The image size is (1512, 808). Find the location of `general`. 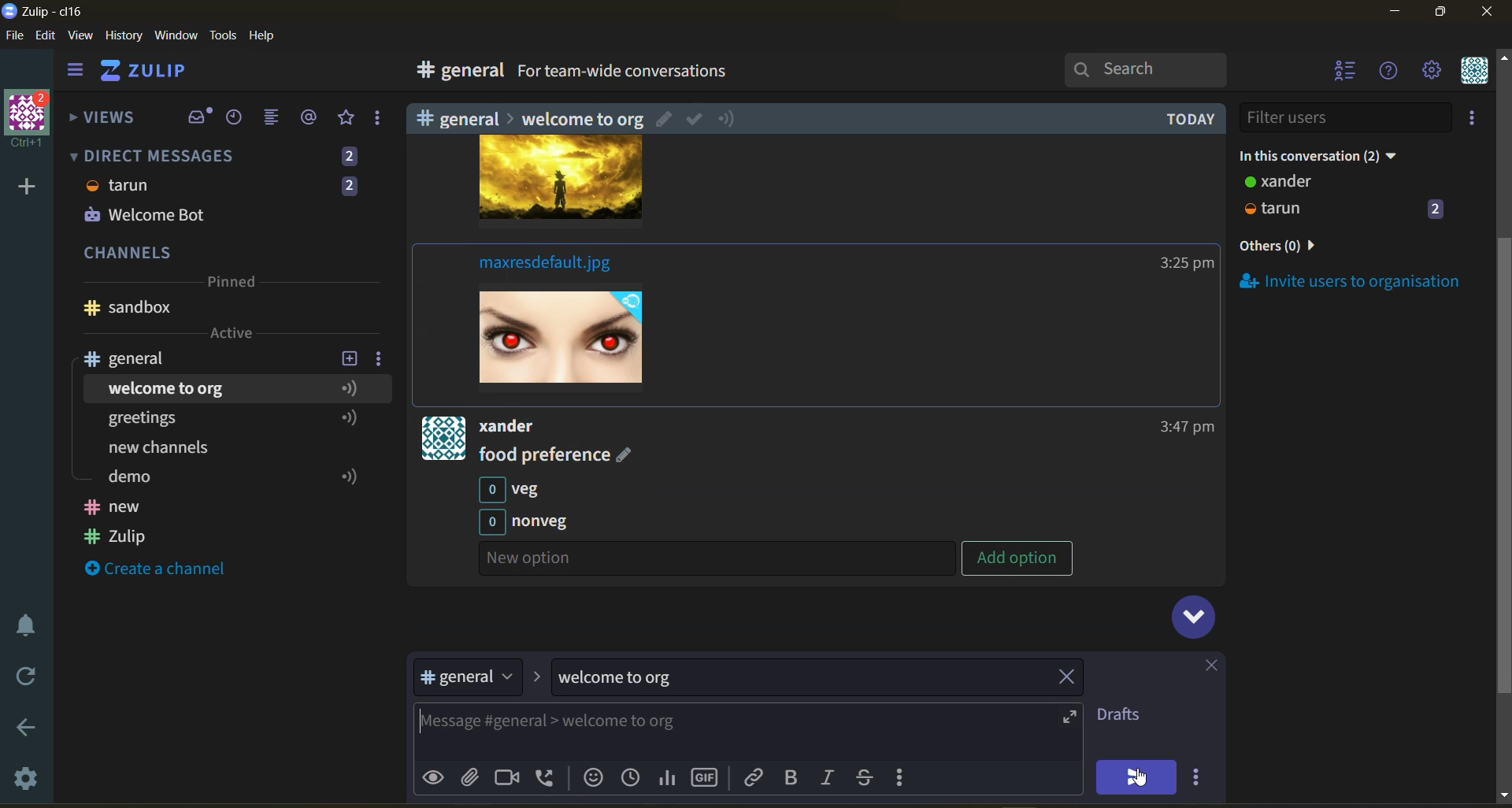

general is located at coordinates (461, 71).